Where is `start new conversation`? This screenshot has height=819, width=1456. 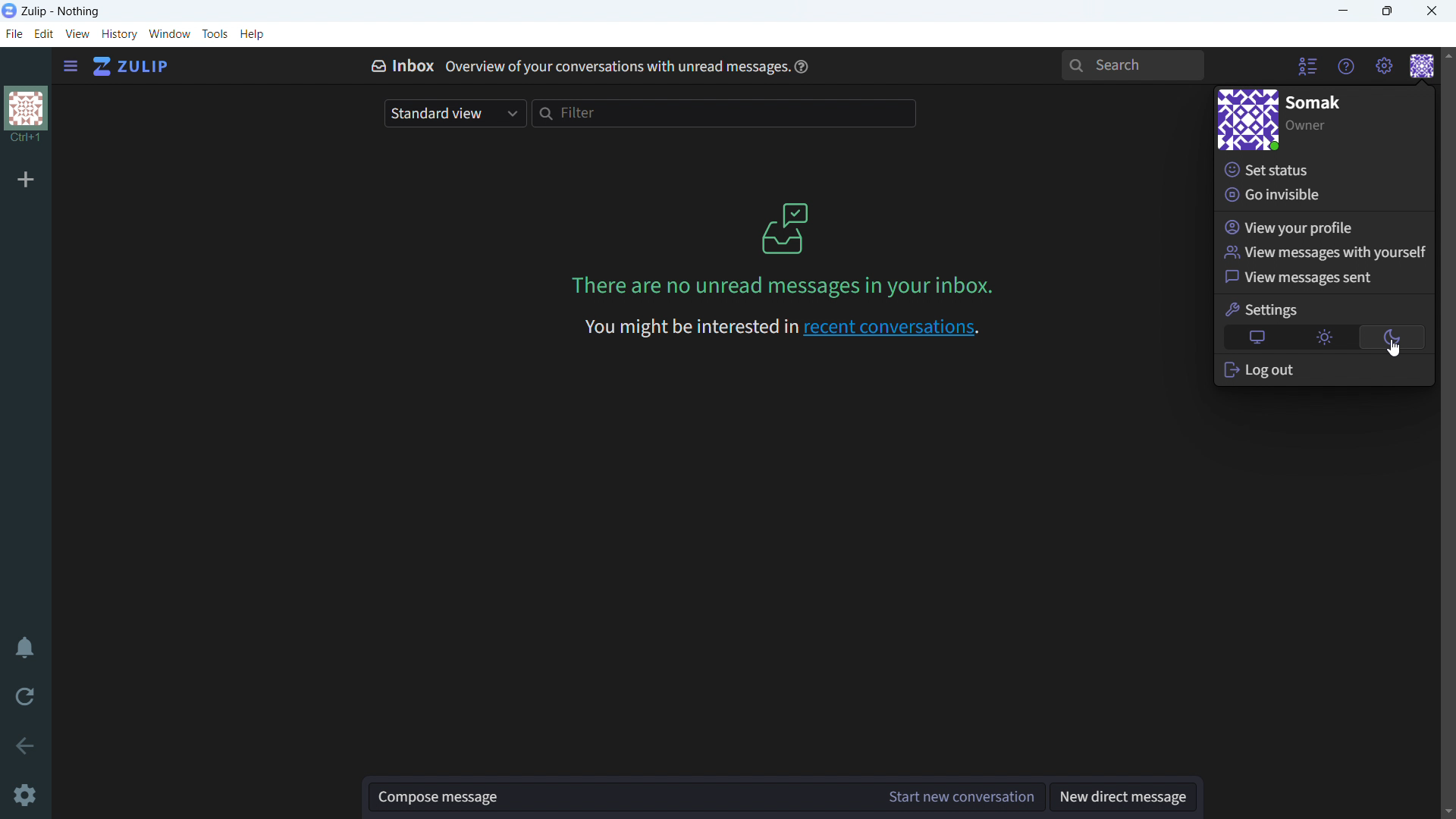
start new conversation is located at coordinates (958, 797).